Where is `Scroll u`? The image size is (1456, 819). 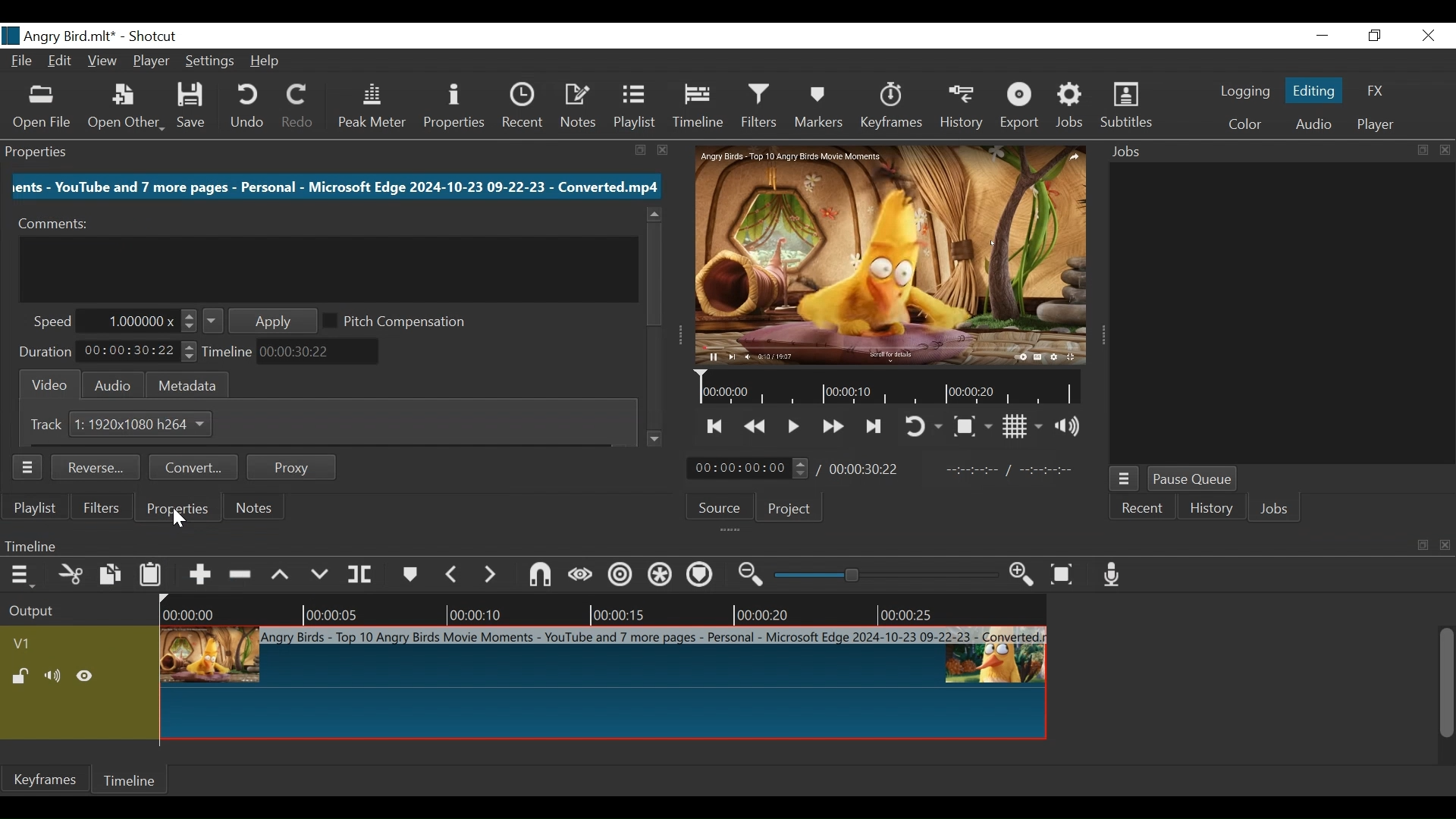
Scroll u is located at coordinates (651, 215).